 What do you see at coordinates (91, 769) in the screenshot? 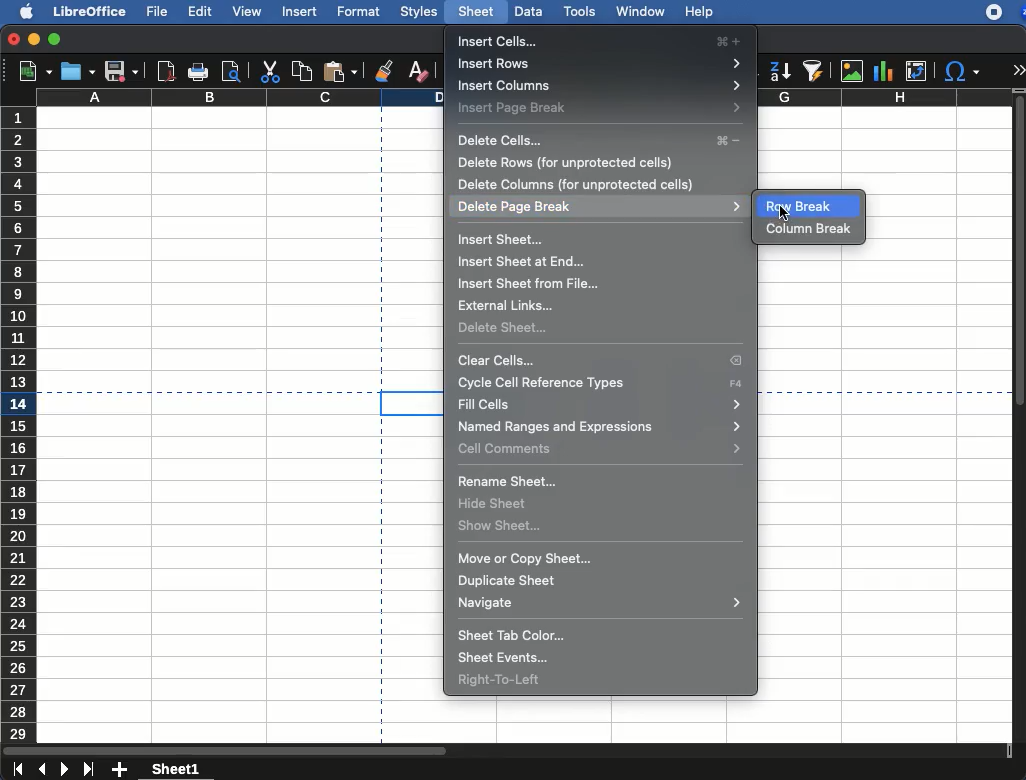
I see `last sheet` at bounding box center [91, 769].